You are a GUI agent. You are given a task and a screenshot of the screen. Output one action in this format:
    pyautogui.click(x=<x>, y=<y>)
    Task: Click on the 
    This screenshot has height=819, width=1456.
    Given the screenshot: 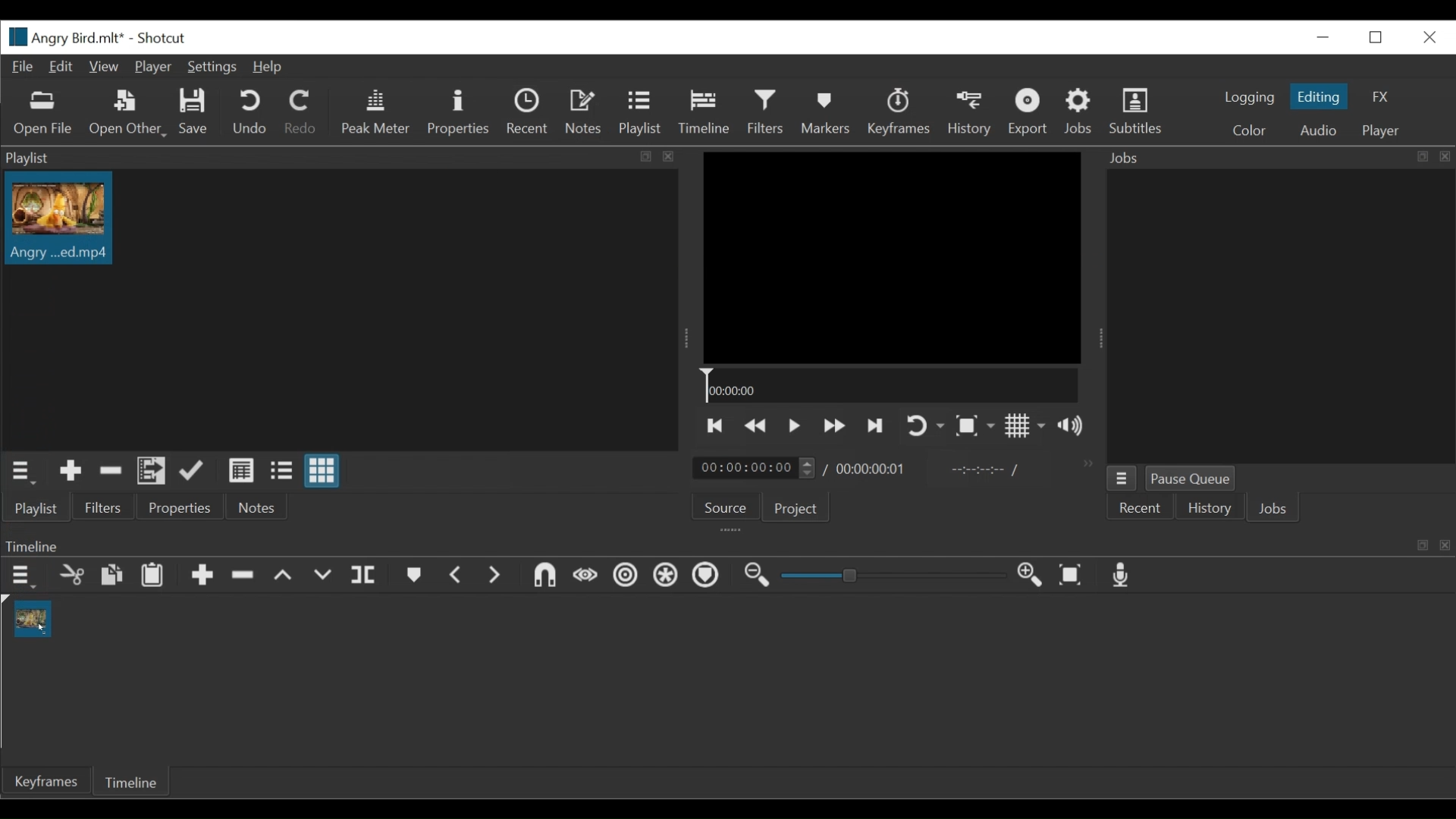 What is the action you would take?
    pyautogui.click(x=1250, y=99)
    